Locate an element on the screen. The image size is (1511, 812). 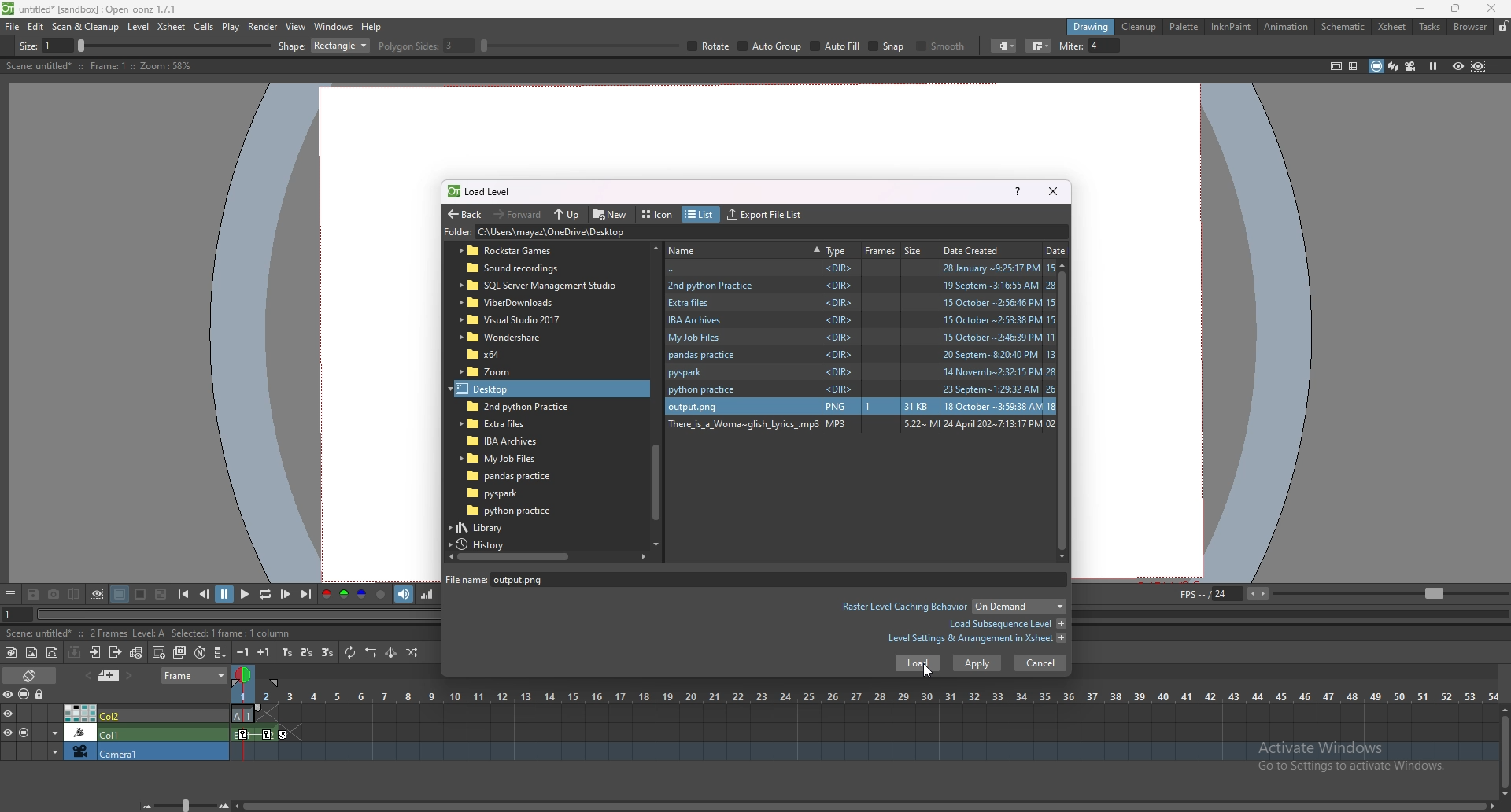
folder is located at coordinates (507, 458).